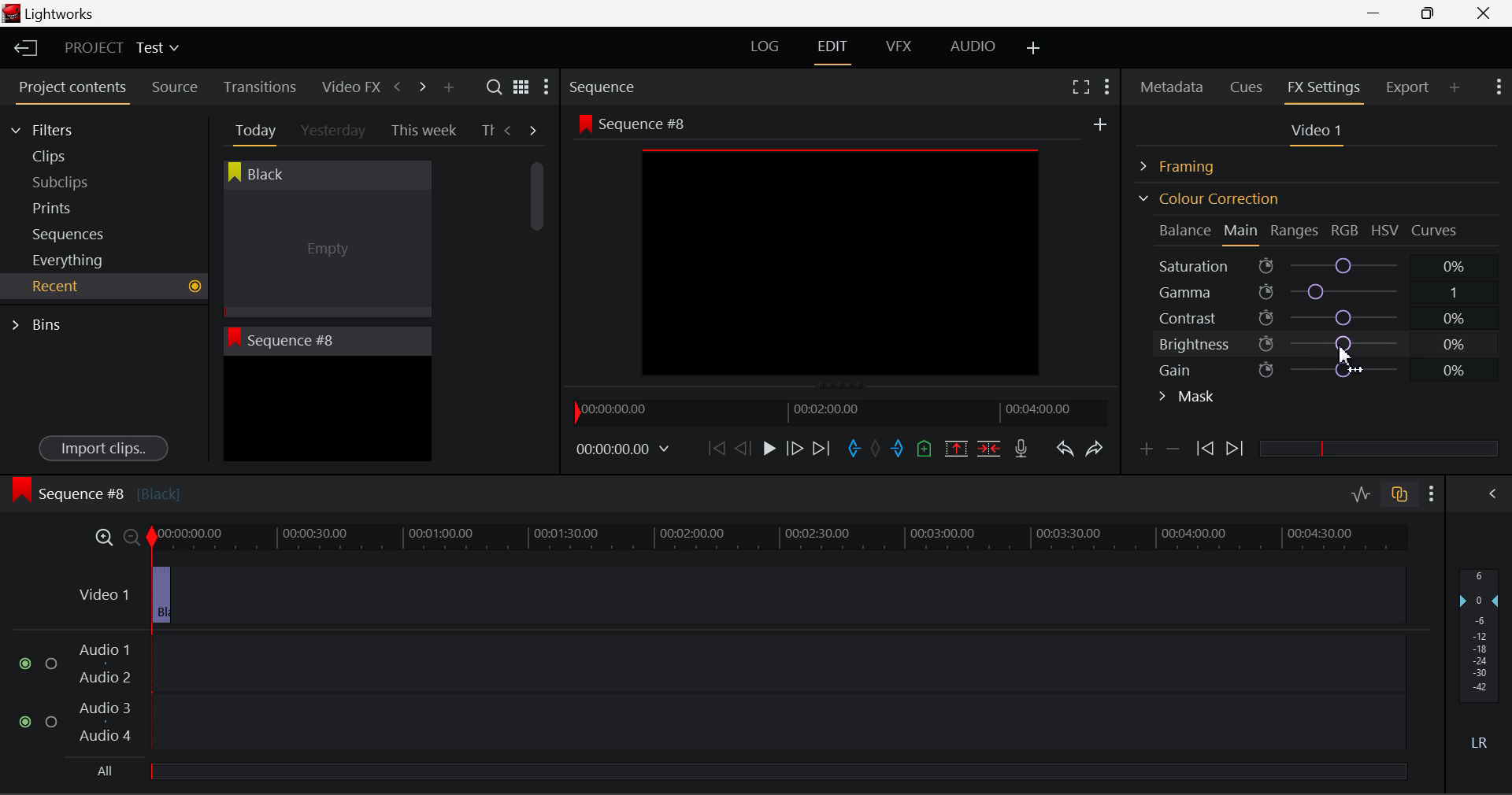  Describe the element at coordinates (1346, 231) in the screenshot. I see `RGB` at that location.